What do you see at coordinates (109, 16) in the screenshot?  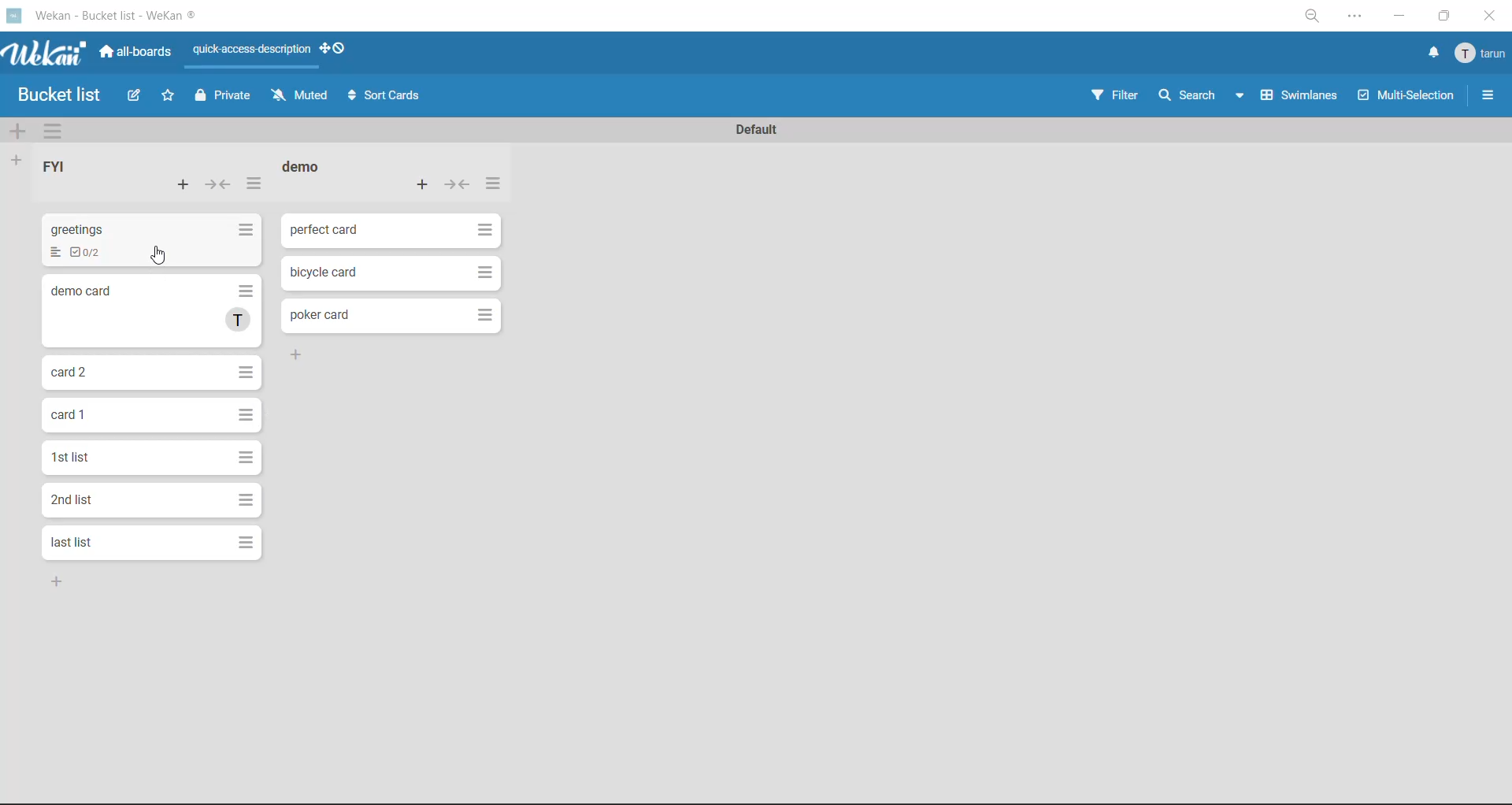 I see `app title` at bounding box center [109, 16].